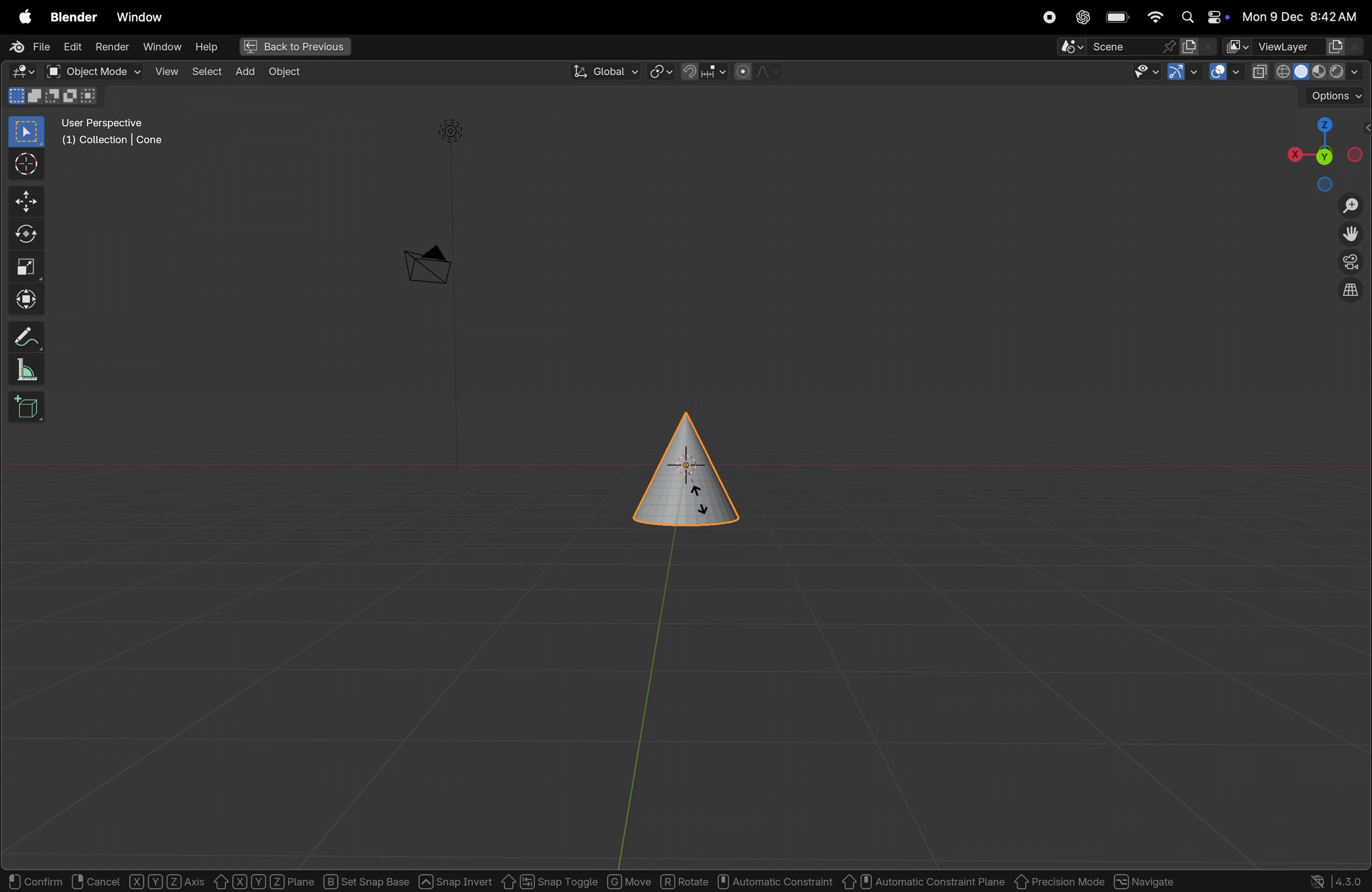 Image resolution: width=1372 pixels, height=892 pixels. What do you see at coordinates (24, 201) in the screenshot?
I see `move` at bounding box center [24, 201].